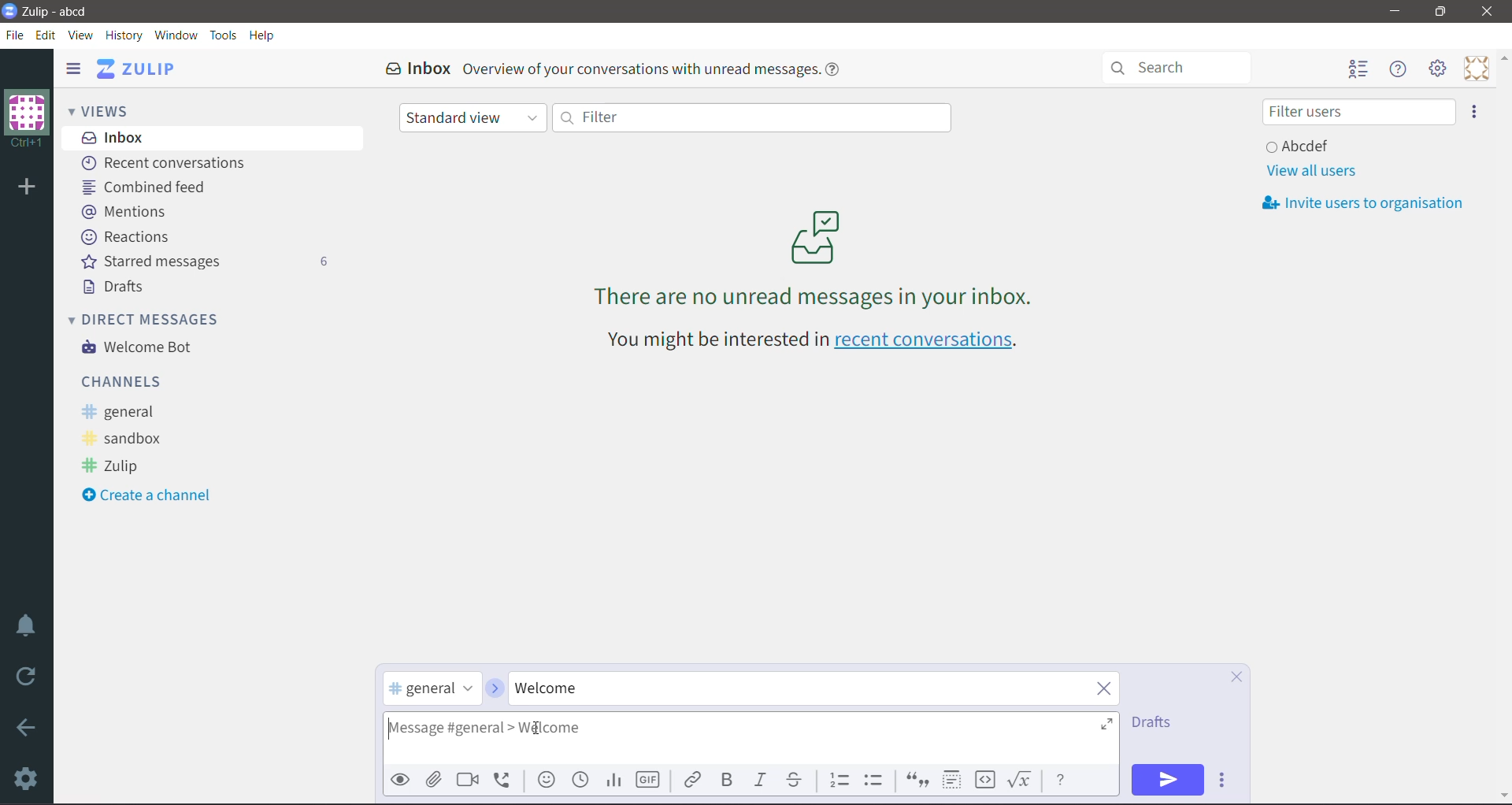 This screenshot has width=1512, height=805. Describe the element at coordinates (750, 117) in the screenshot. I see `Filter` at that location.